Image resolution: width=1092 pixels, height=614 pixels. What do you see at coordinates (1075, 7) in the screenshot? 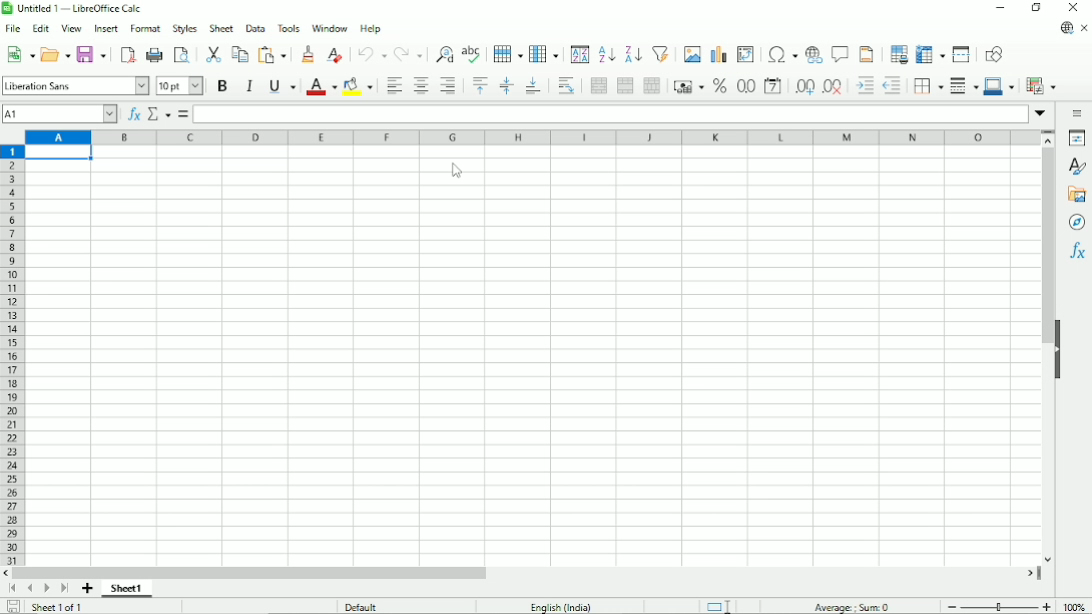
I see `Close` at bounding box center [1075, 7].